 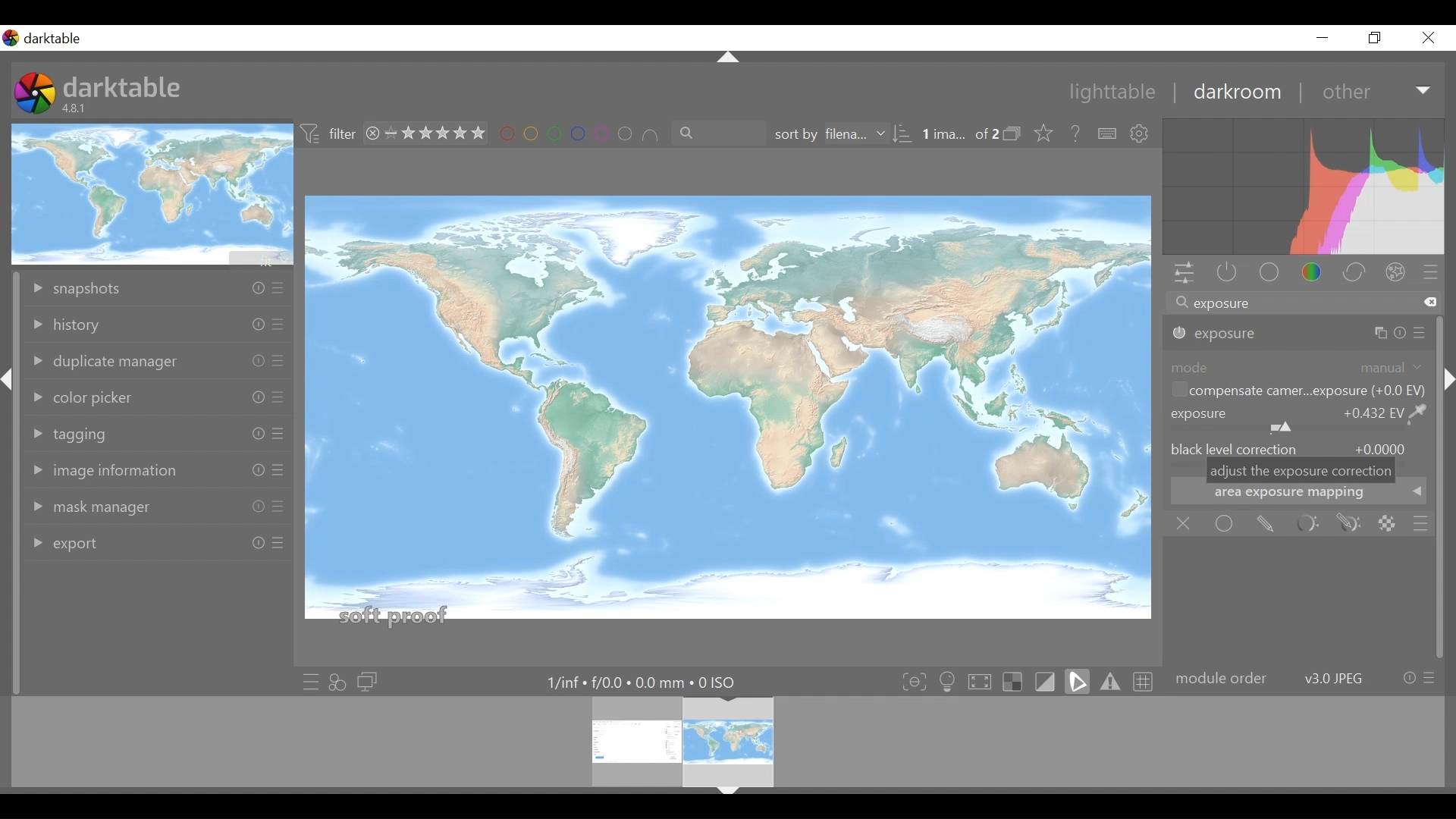 What do you see at coordinates (1045, 134) in the screenshot?
I see `lick to change the type of overlays shown on thumbnails` at bounding box center [1045, 134].